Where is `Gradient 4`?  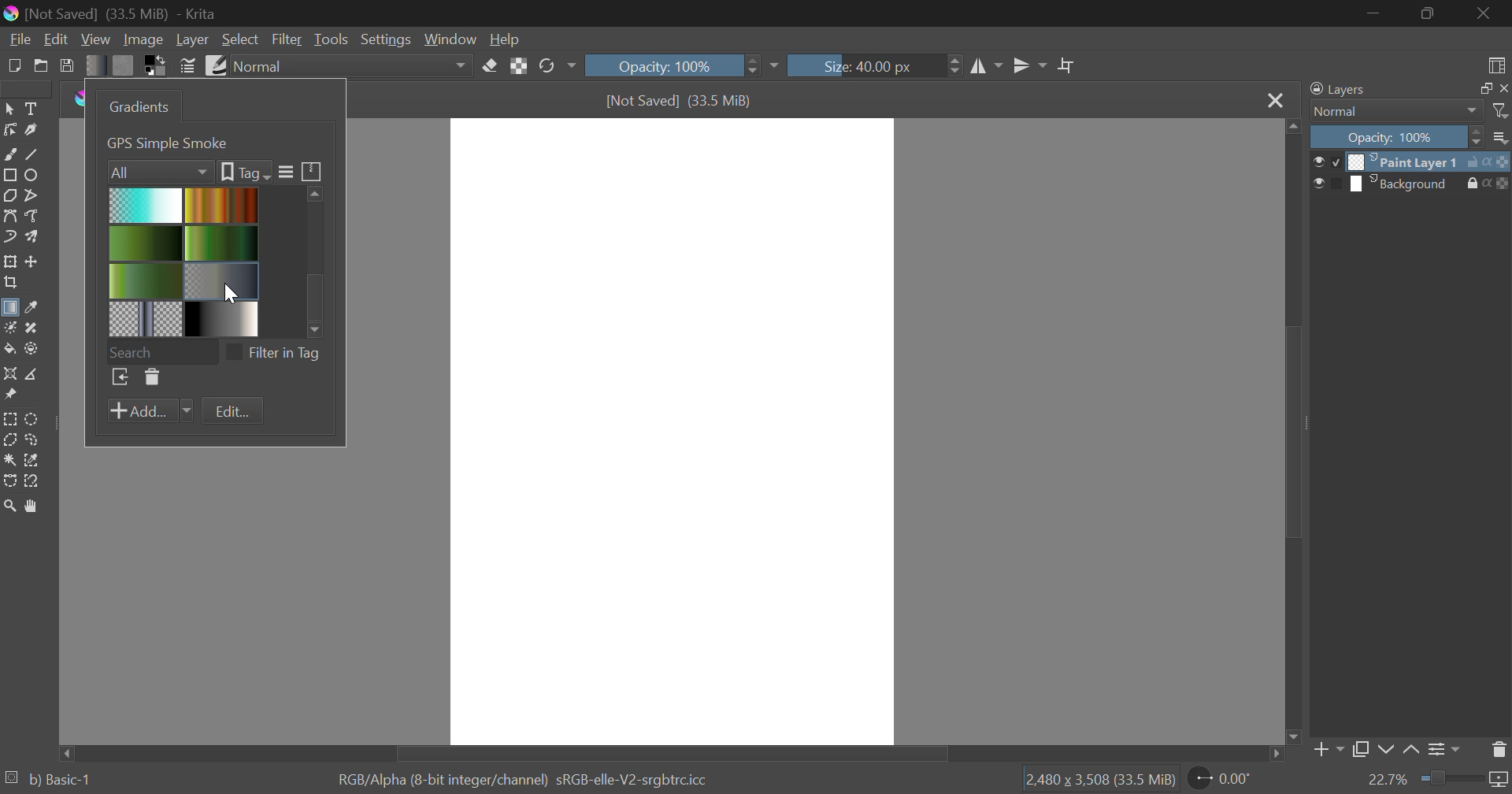 Gradient 4 is located at coordinates (222, 242).